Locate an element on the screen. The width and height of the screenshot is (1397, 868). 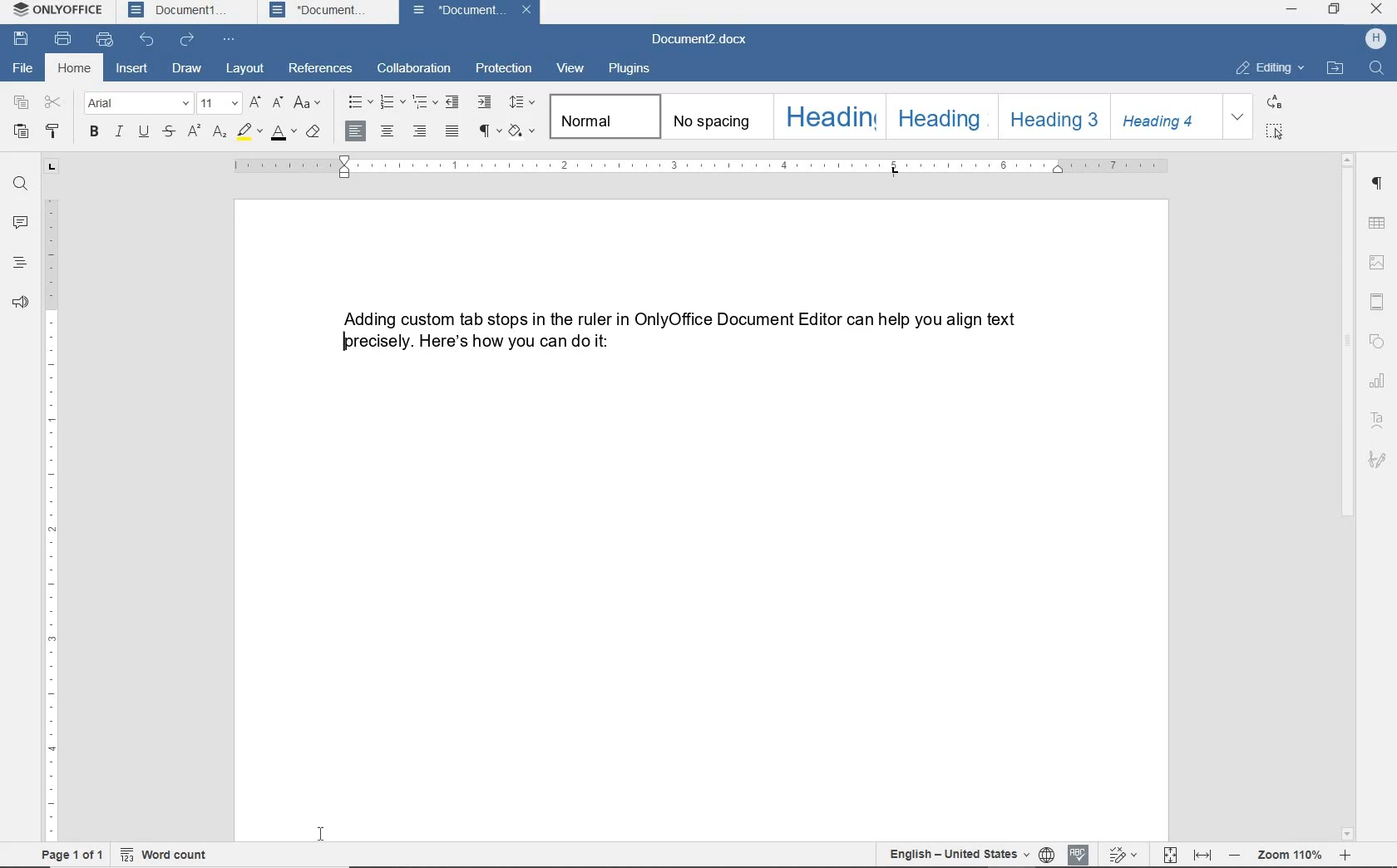
draw is located at coordinates (187, 69).